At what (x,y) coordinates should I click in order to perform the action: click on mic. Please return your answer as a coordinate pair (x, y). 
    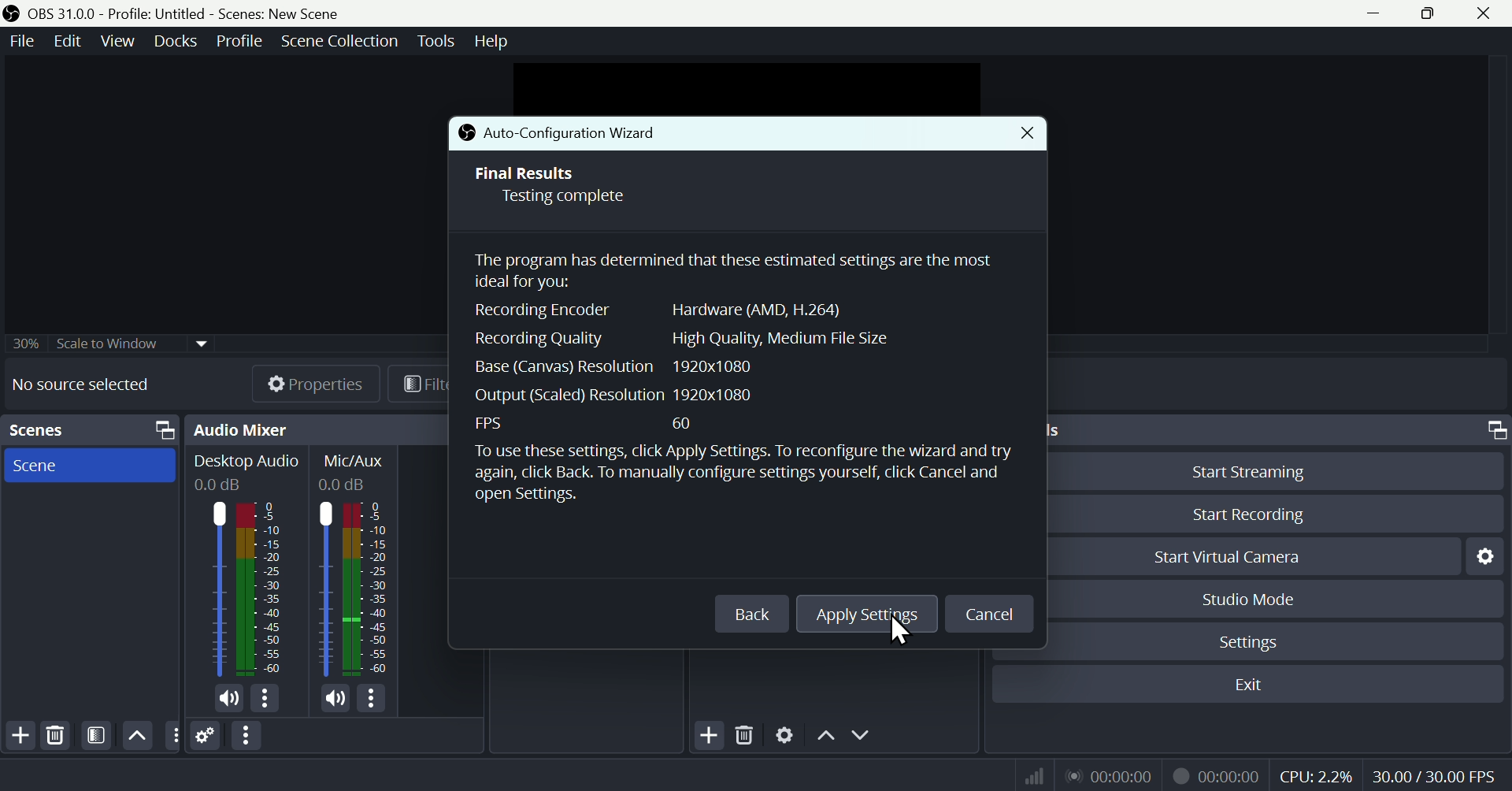
    Looking at the image, I should click on (336, 697).